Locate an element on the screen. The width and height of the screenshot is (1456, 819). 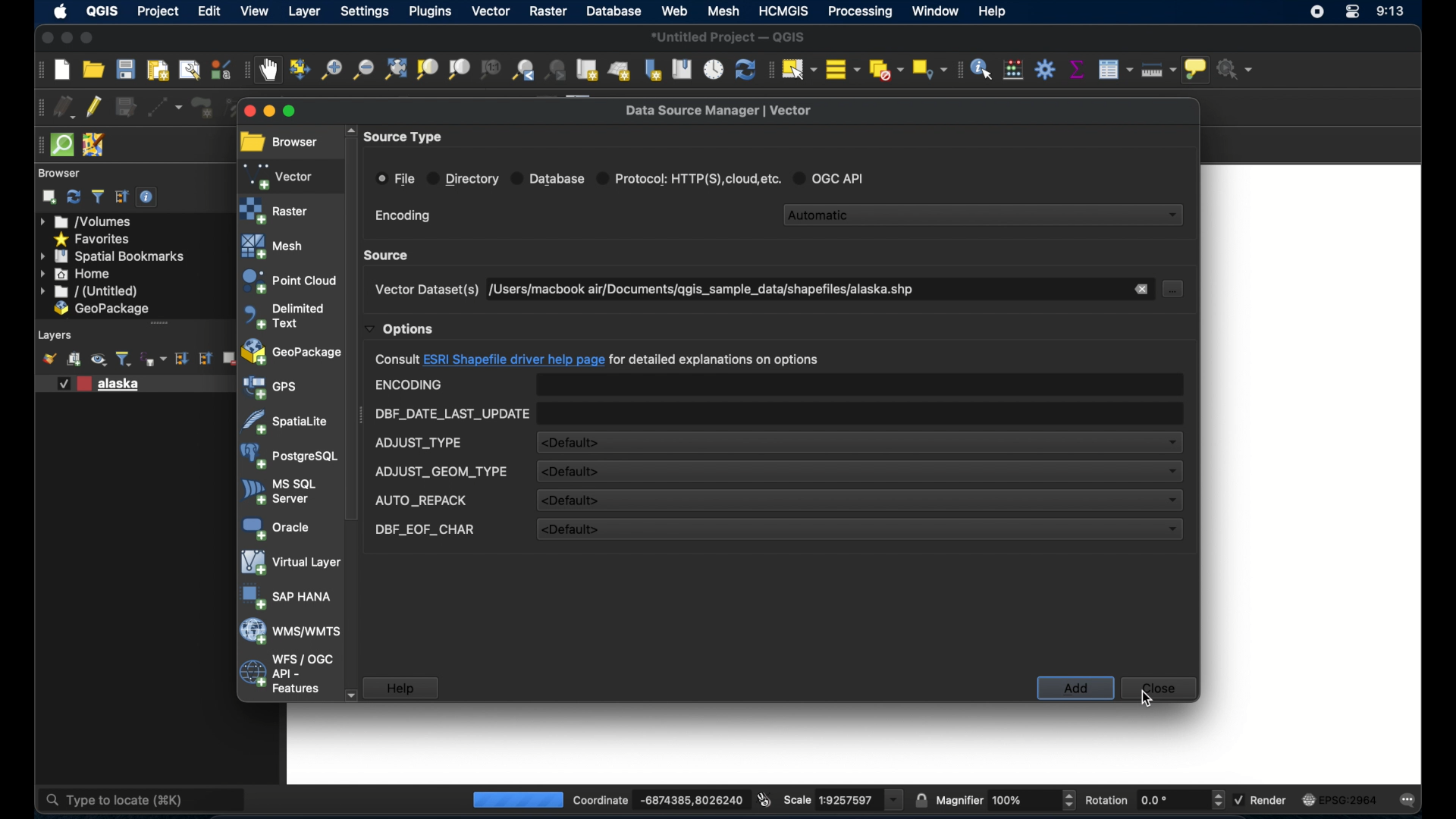
vector dataset(s) is located at coordinates (425, 290).